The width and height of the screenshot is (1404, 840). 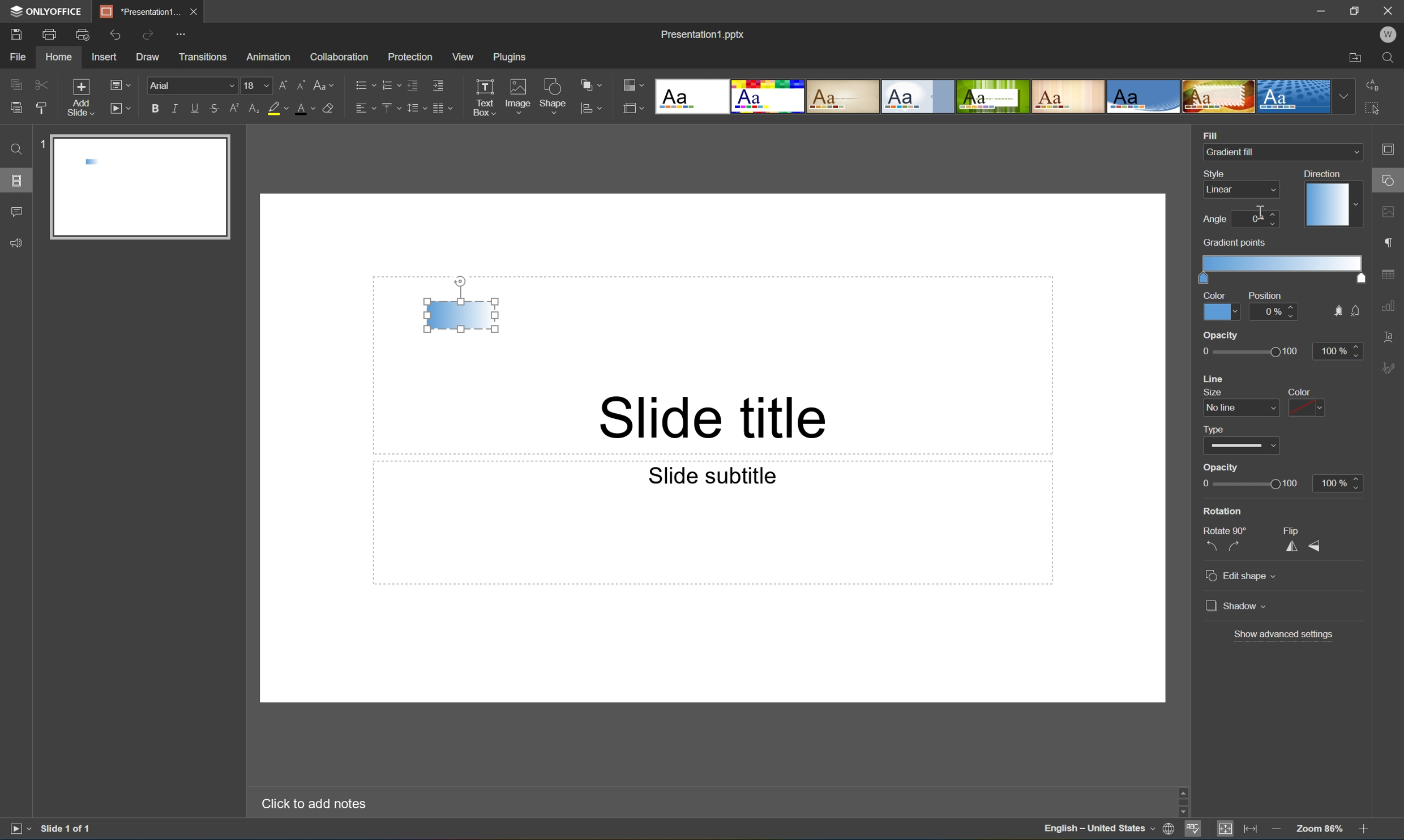 What do you see at coordinates (1307, 408) in the screenshot?
I see `color dropdown` at bounding box center [1307, 408].